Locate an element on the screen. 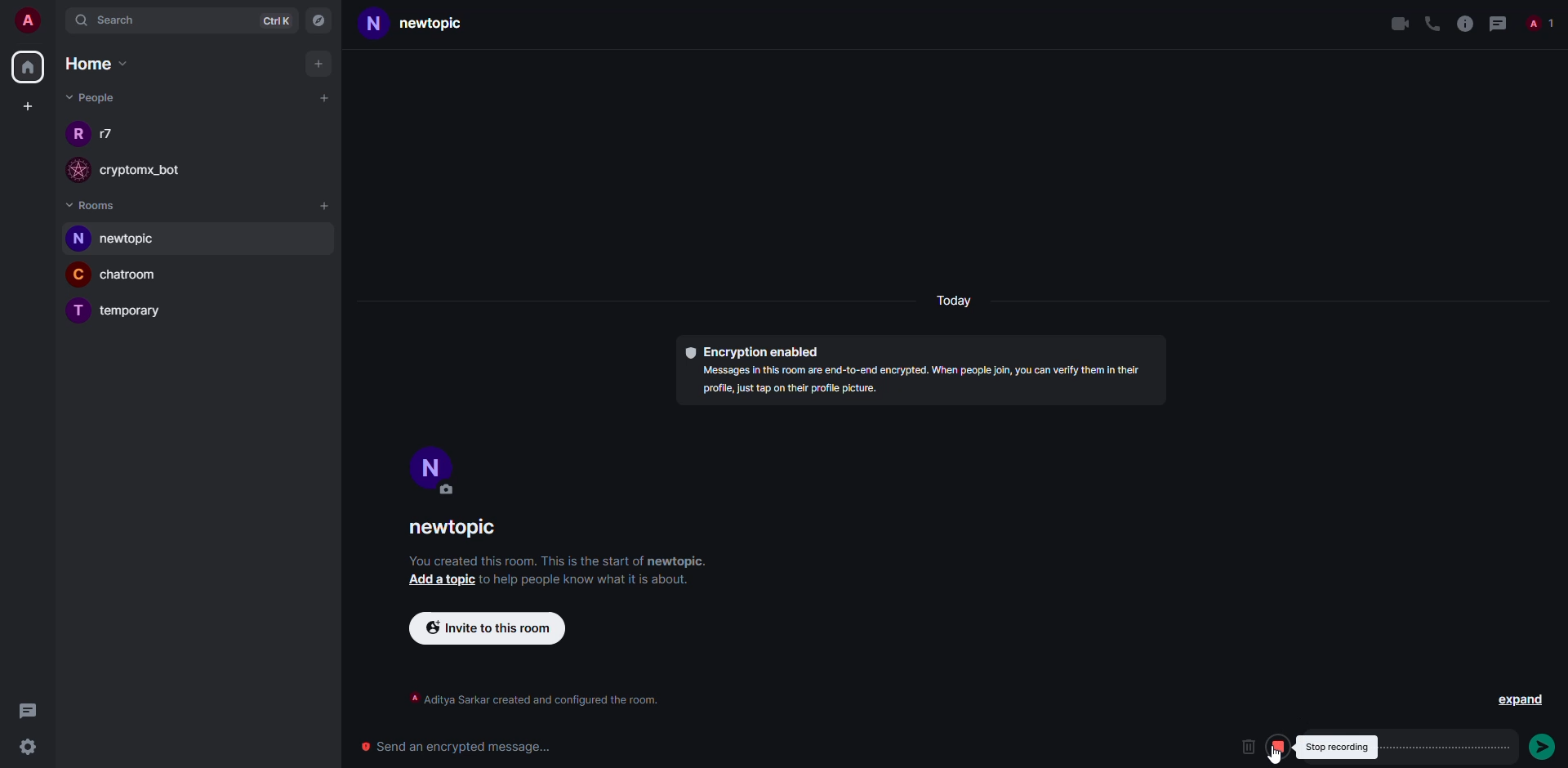  profile is located at coordinates (432, 463).